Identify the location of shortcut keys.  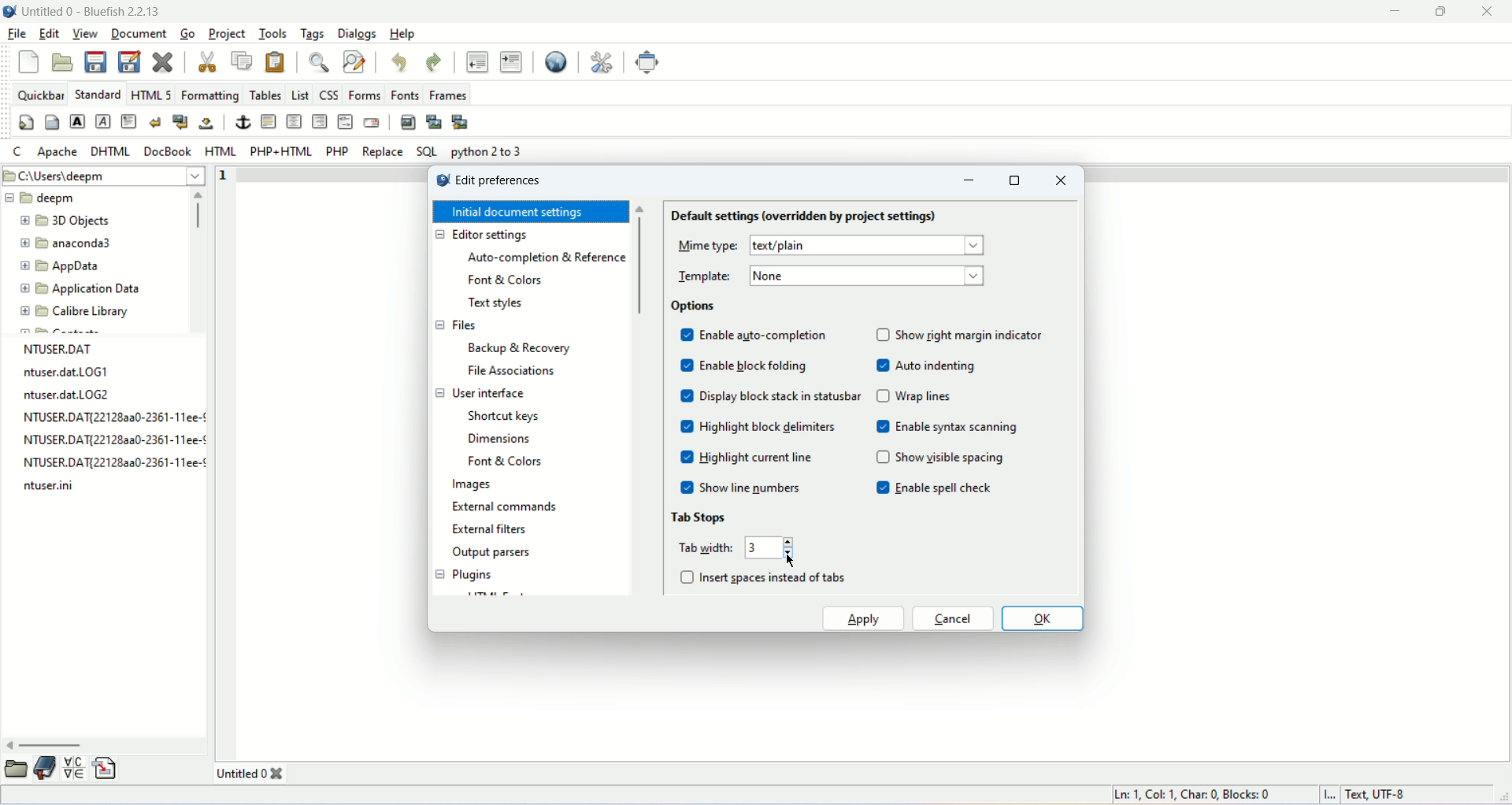
(507, 417).